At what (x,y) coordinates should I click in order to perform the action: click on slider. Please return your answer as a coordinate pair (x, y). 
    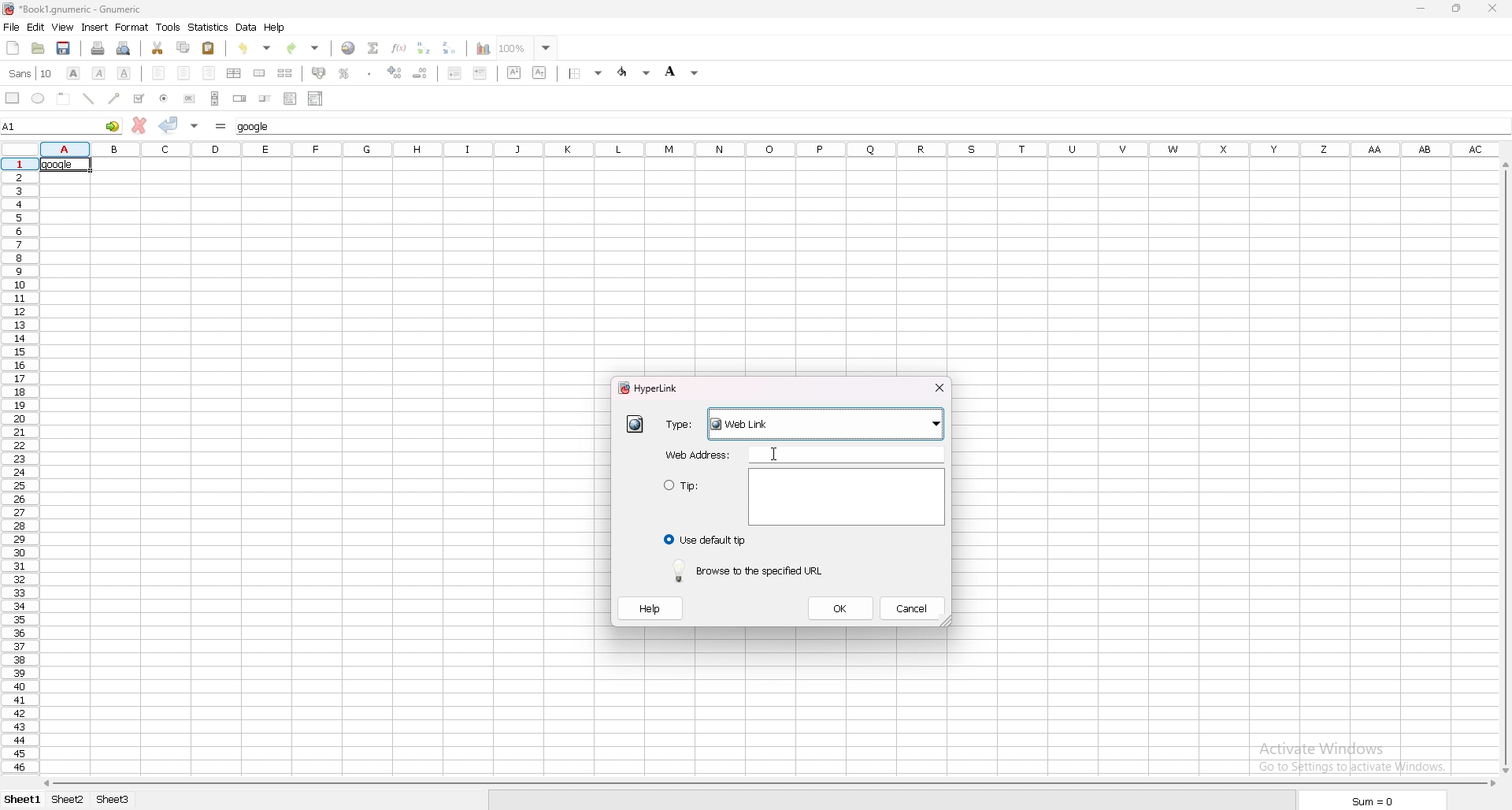
    Looking at the image, I should click on (265, 98).